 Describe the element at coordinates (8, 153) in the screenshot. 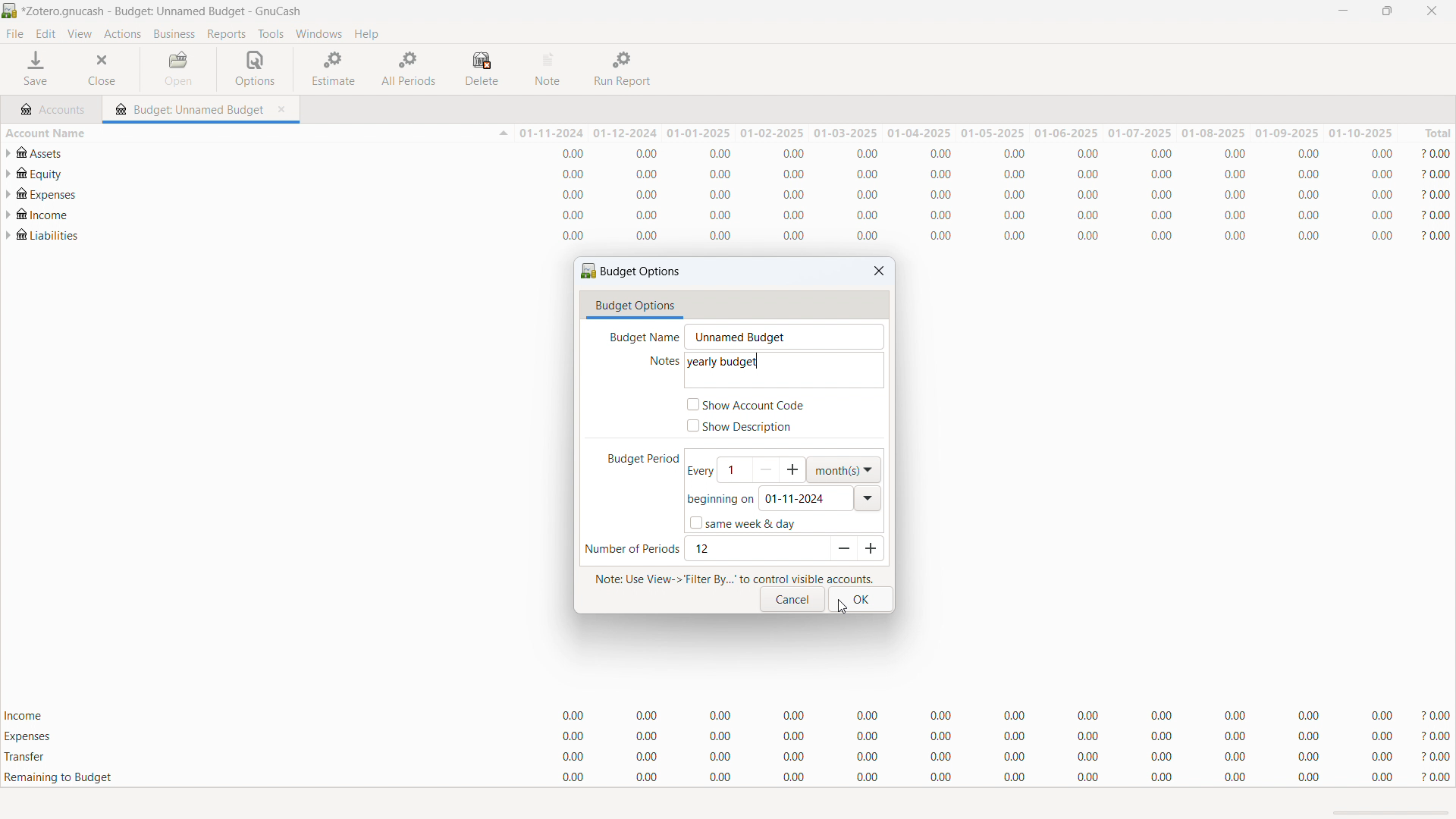

I see `expand subaccounts` at that location.